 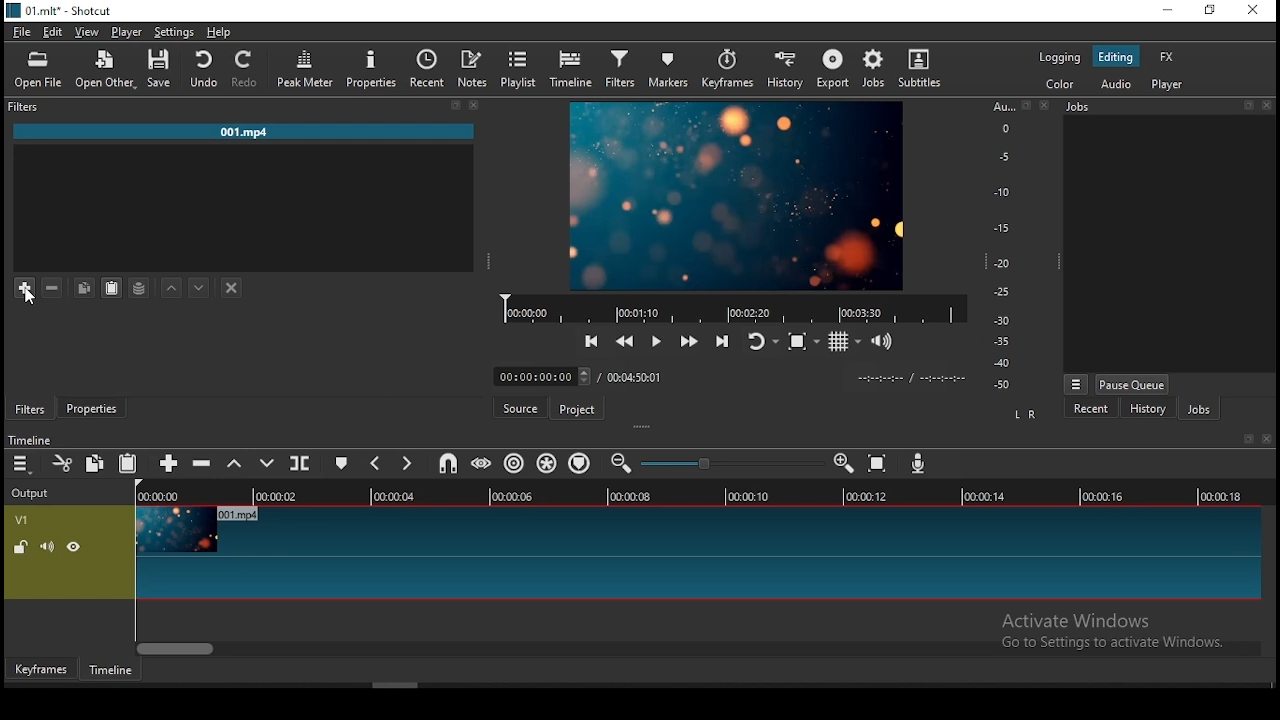 What do you see at coordinates (473, 107) in the screenshot?
I see `close` at bounding box center [473, 107].